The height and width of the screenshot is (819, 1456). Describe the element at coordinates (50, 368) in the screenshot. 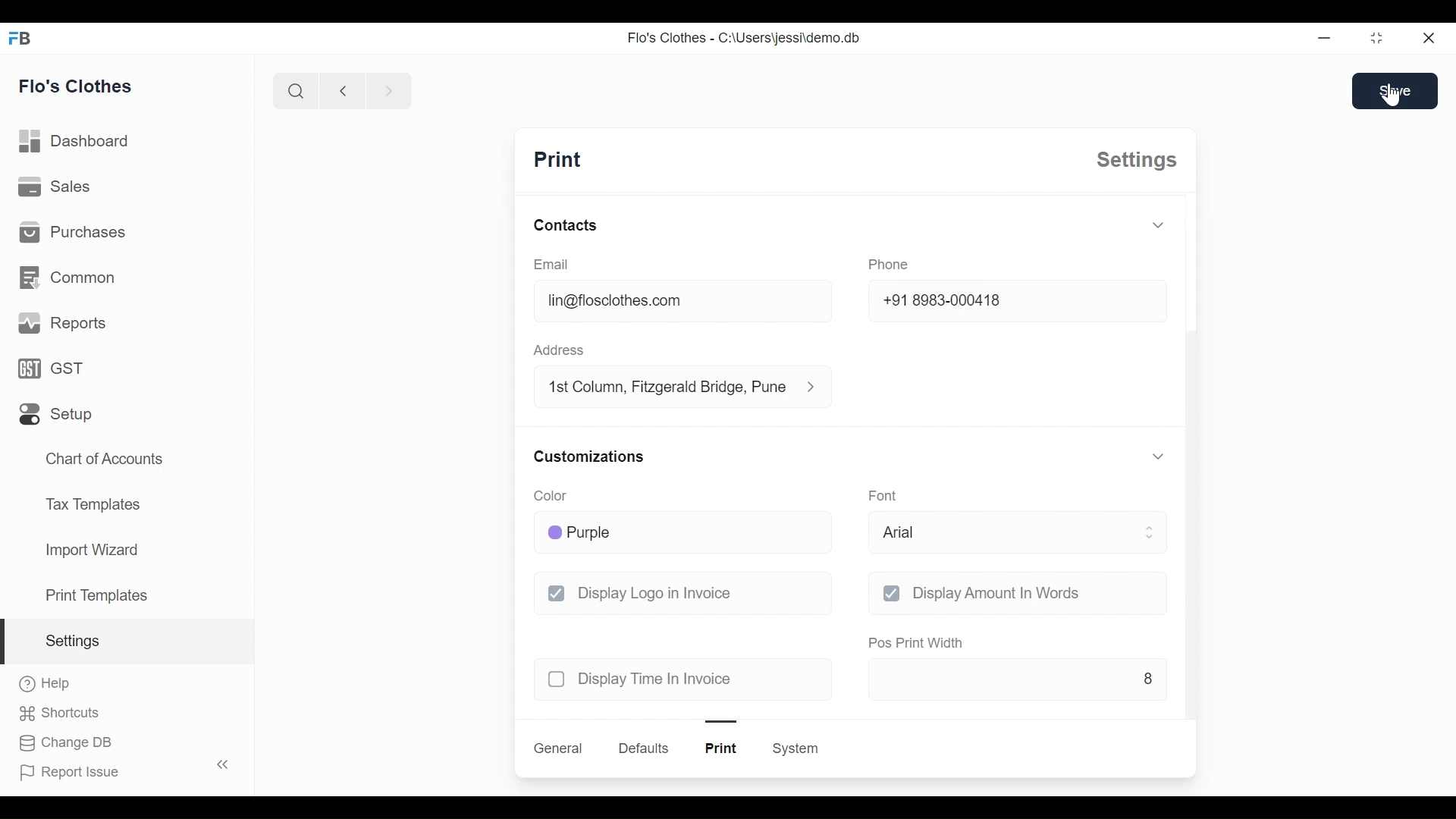

I see `GST` at that location.